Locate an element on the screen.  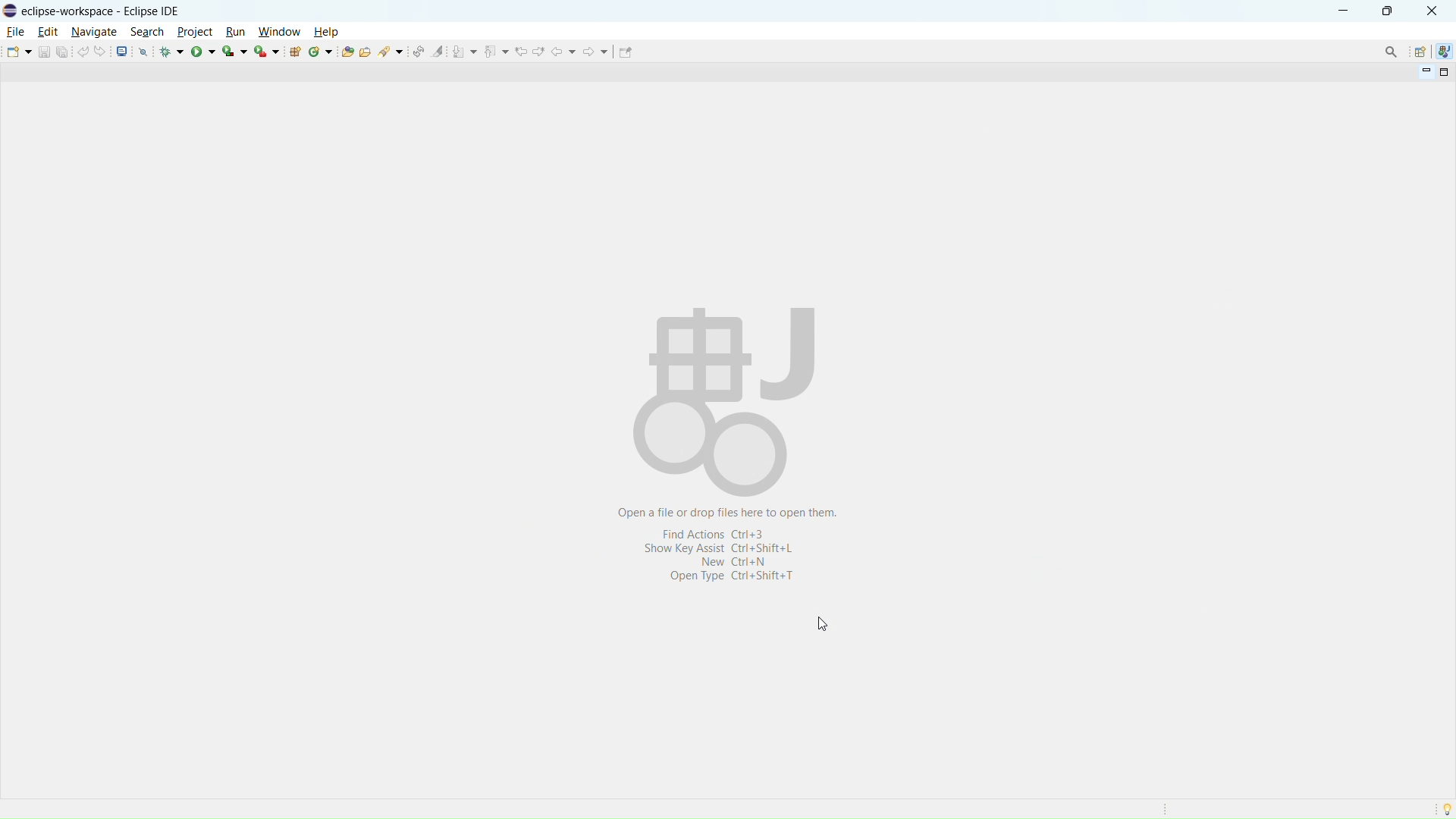
skip all breakpoints is located at coordinates (143, 51).